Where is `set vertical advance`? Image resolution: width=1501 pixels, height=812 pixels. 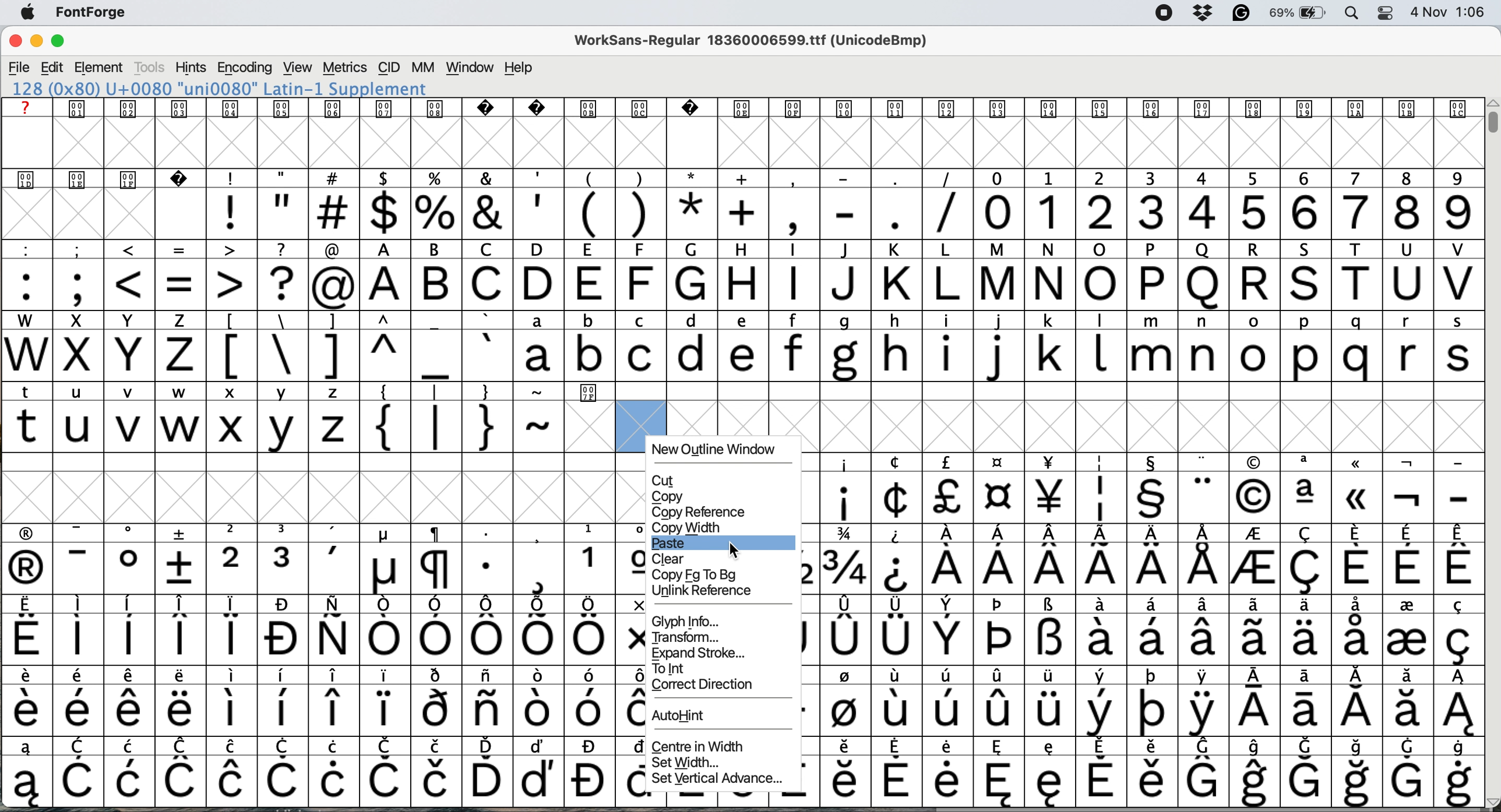
set vertical advance is located at coordinates (714, 778).